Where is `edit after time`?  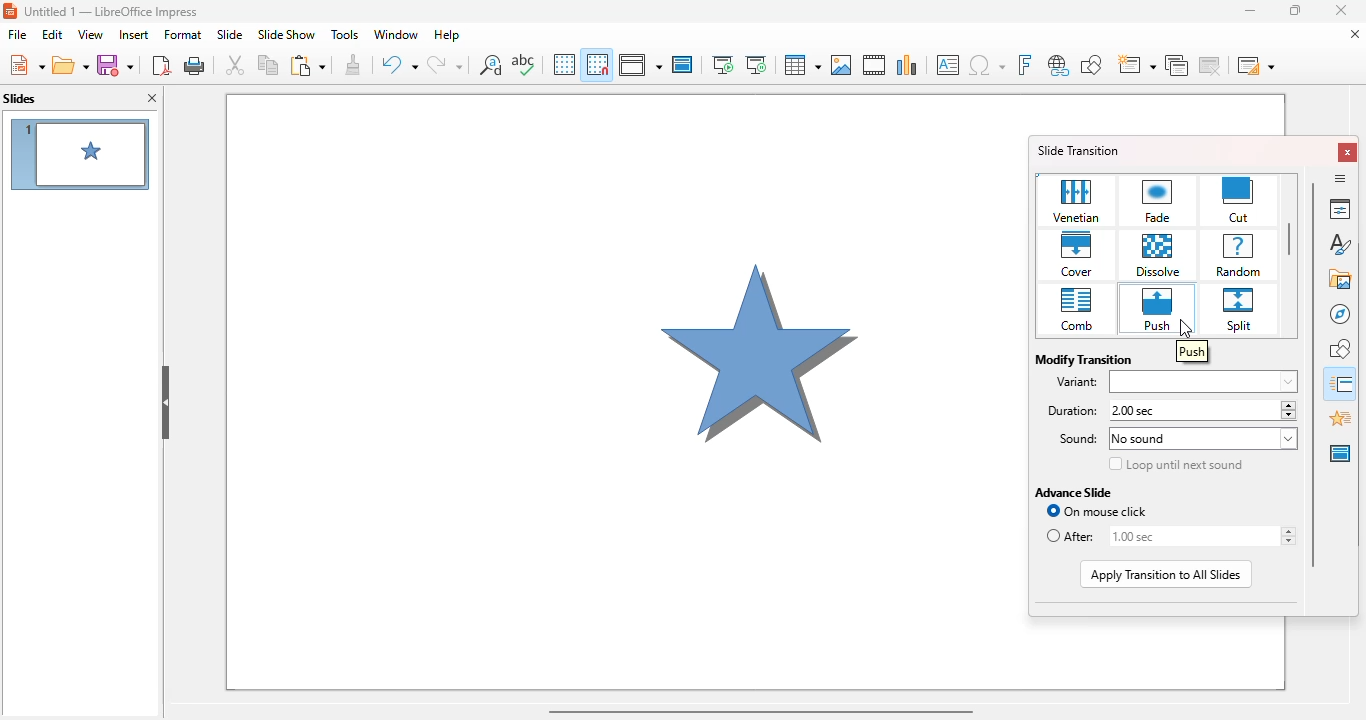 edit after time is located at coordinates (1188, 536).